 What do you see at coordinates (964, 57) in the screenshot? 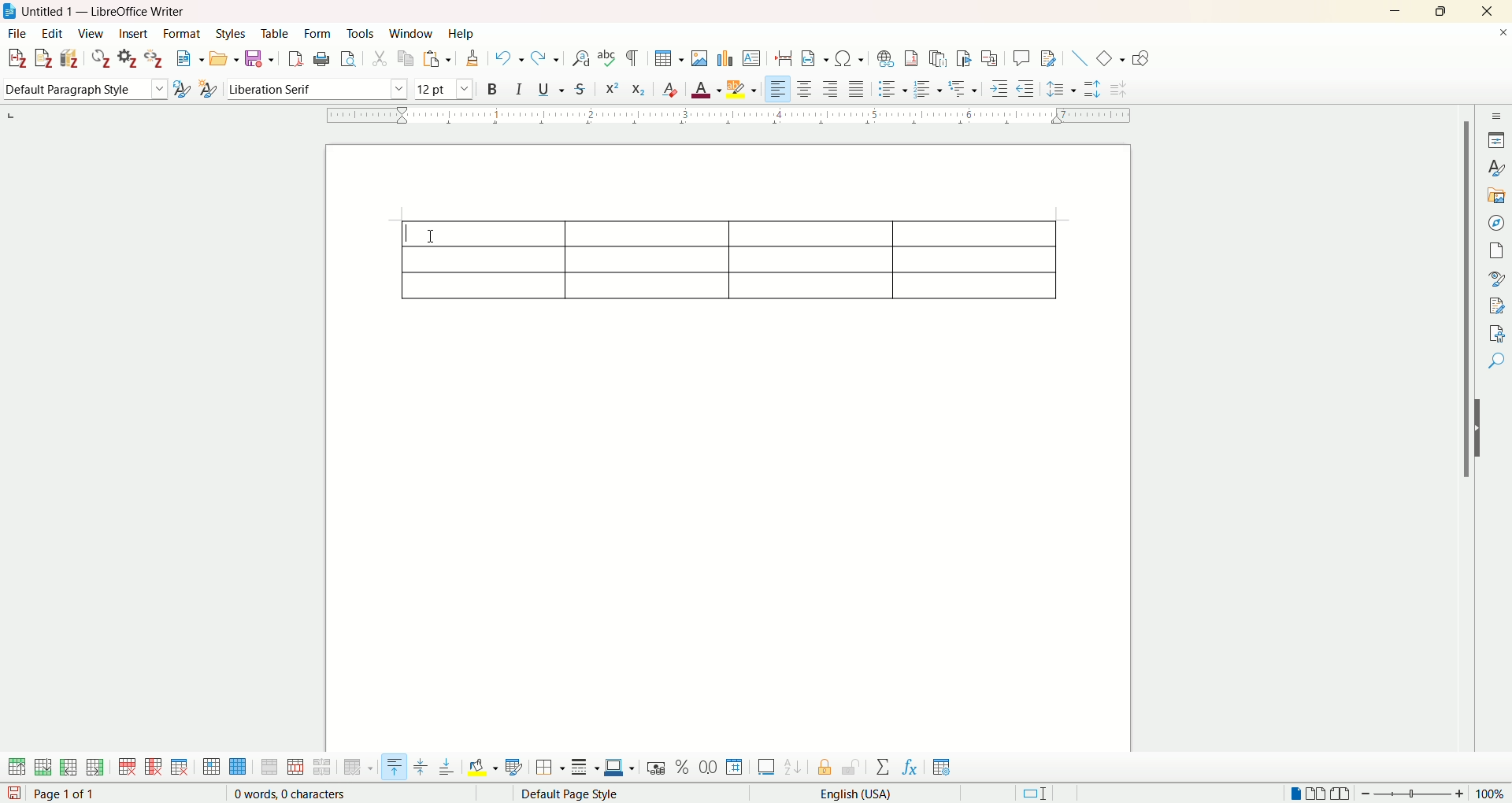
I see `insert bookmark` at bounding box center [964, 57].